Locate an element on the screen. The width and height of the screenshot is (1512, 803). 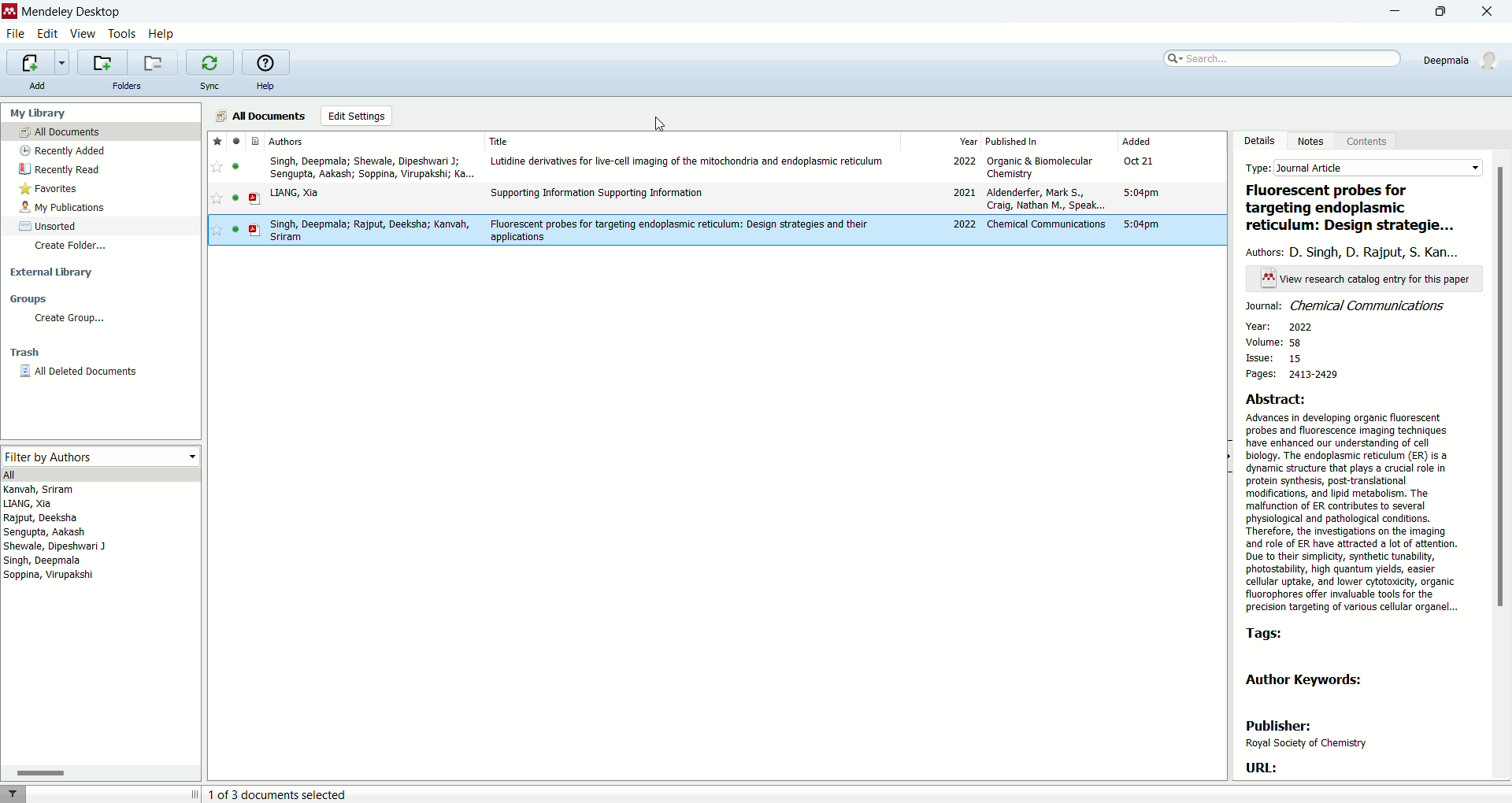
sync is located at coordinates (212, 84).